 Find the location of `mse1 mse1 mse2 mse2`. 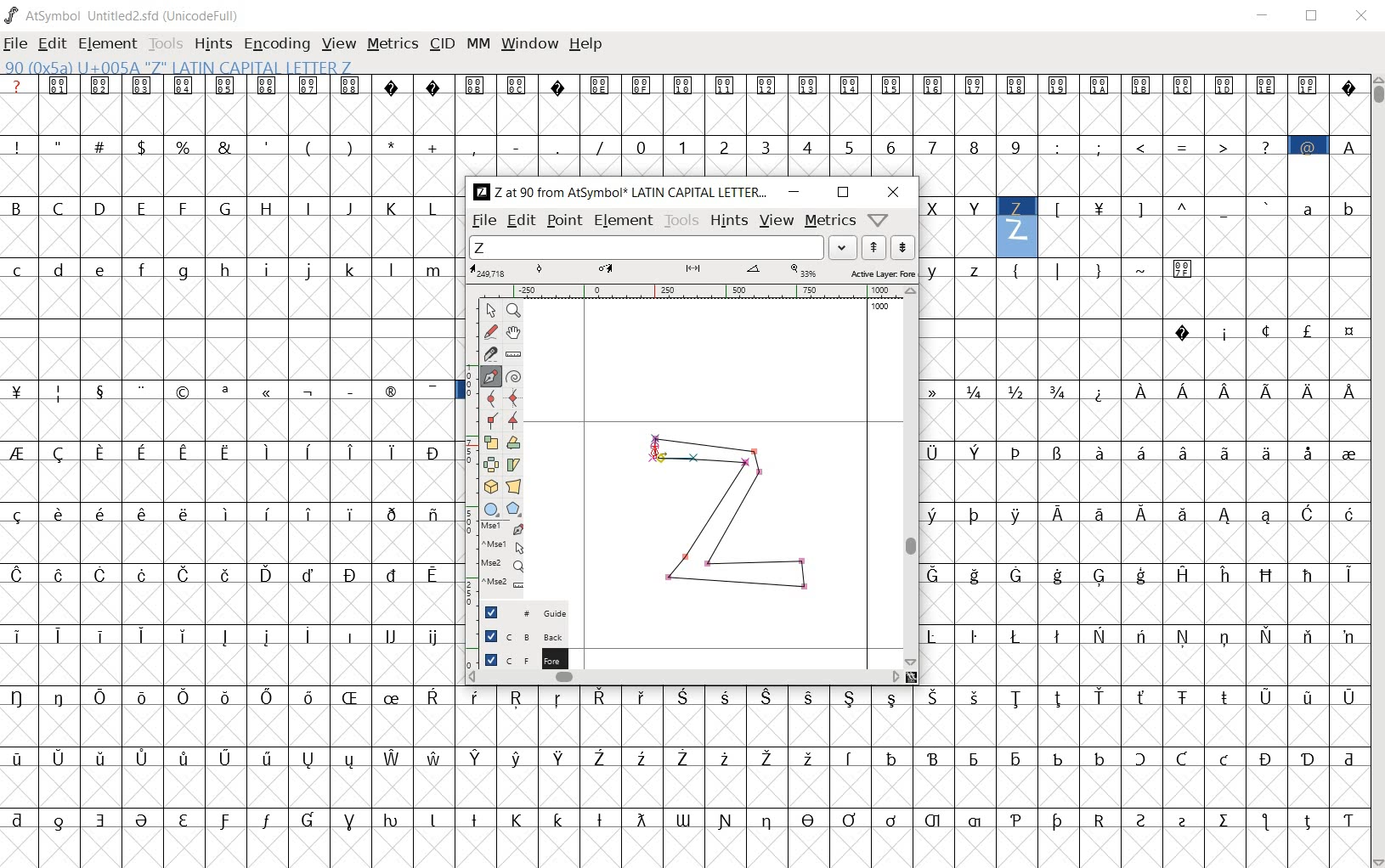

mse1 mse1 mse2 mse2 is located at coordinates (494, 561).